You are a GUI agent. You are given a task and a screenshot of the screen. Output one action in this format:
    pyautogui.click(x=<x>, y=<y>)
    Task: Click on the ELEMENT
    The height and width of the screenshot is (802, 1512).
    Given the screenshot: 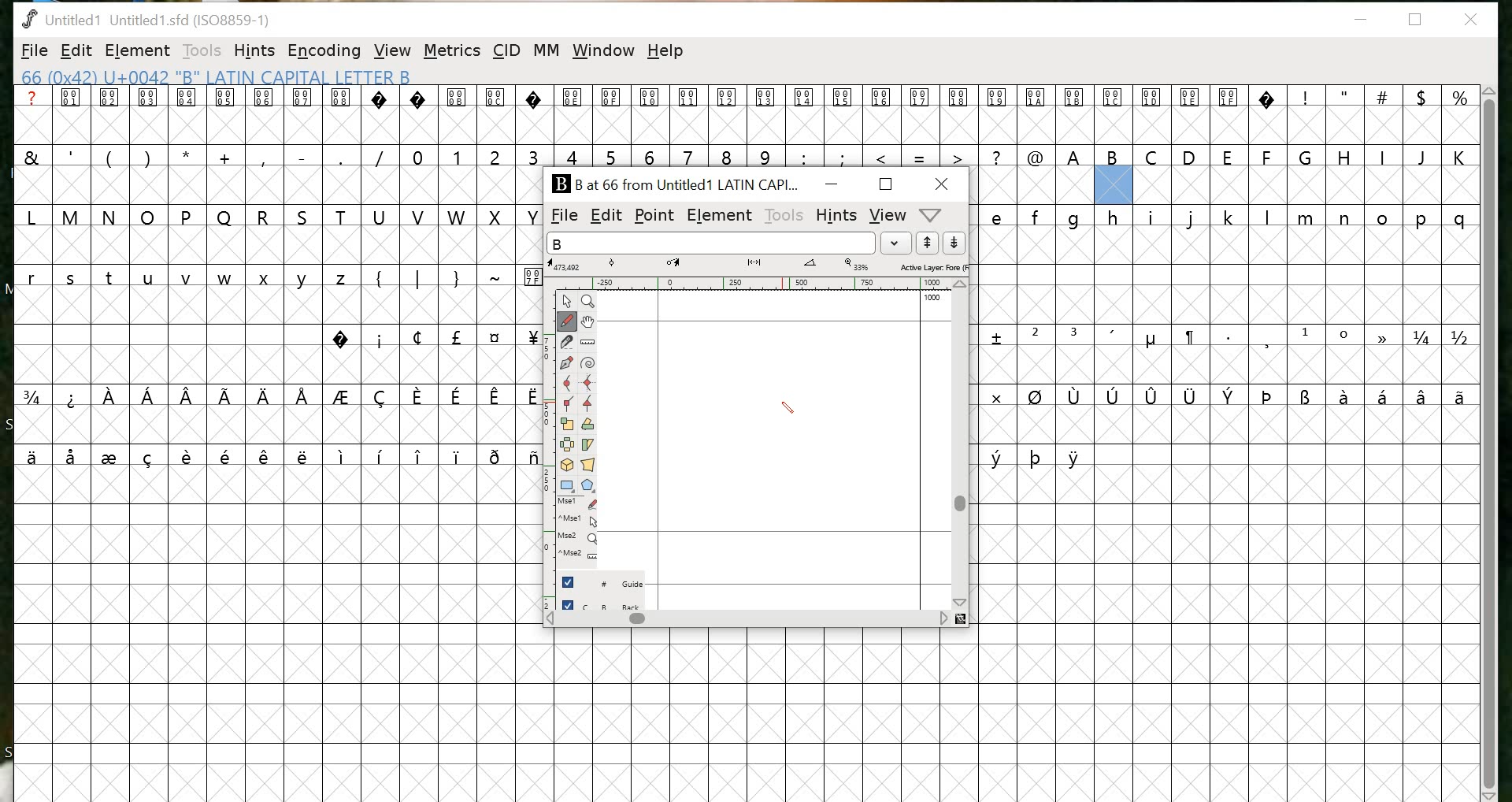 What is the action you would take?
    pyautogui.click(x=719, y=216)
    